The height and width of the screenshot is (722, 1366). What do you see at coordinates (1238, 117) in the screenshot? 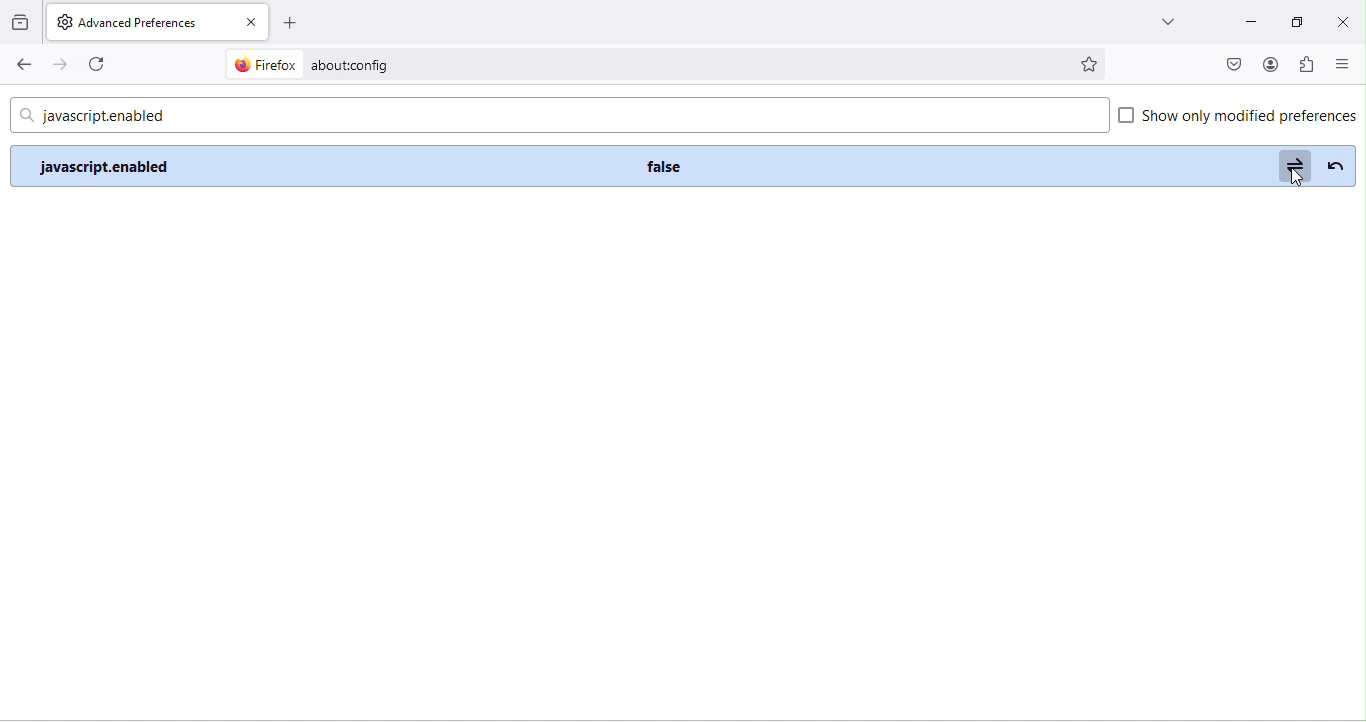
I see `show only modified preferences` at bounding box center [1238, 117].